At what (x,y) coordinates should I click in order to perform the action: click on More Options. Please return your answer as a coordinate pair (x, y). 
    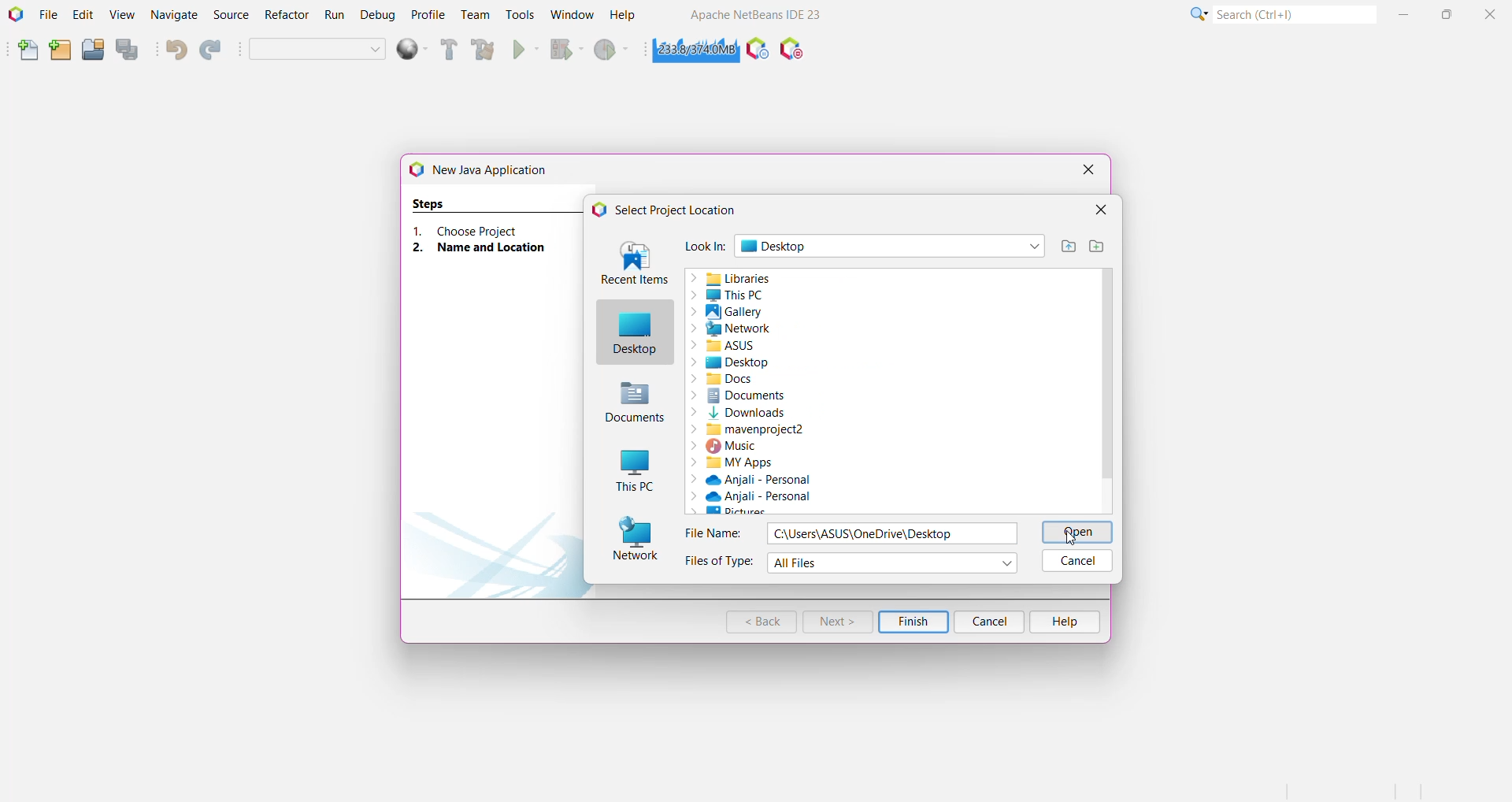
    Looking at the image, I should click on (1197, 17).